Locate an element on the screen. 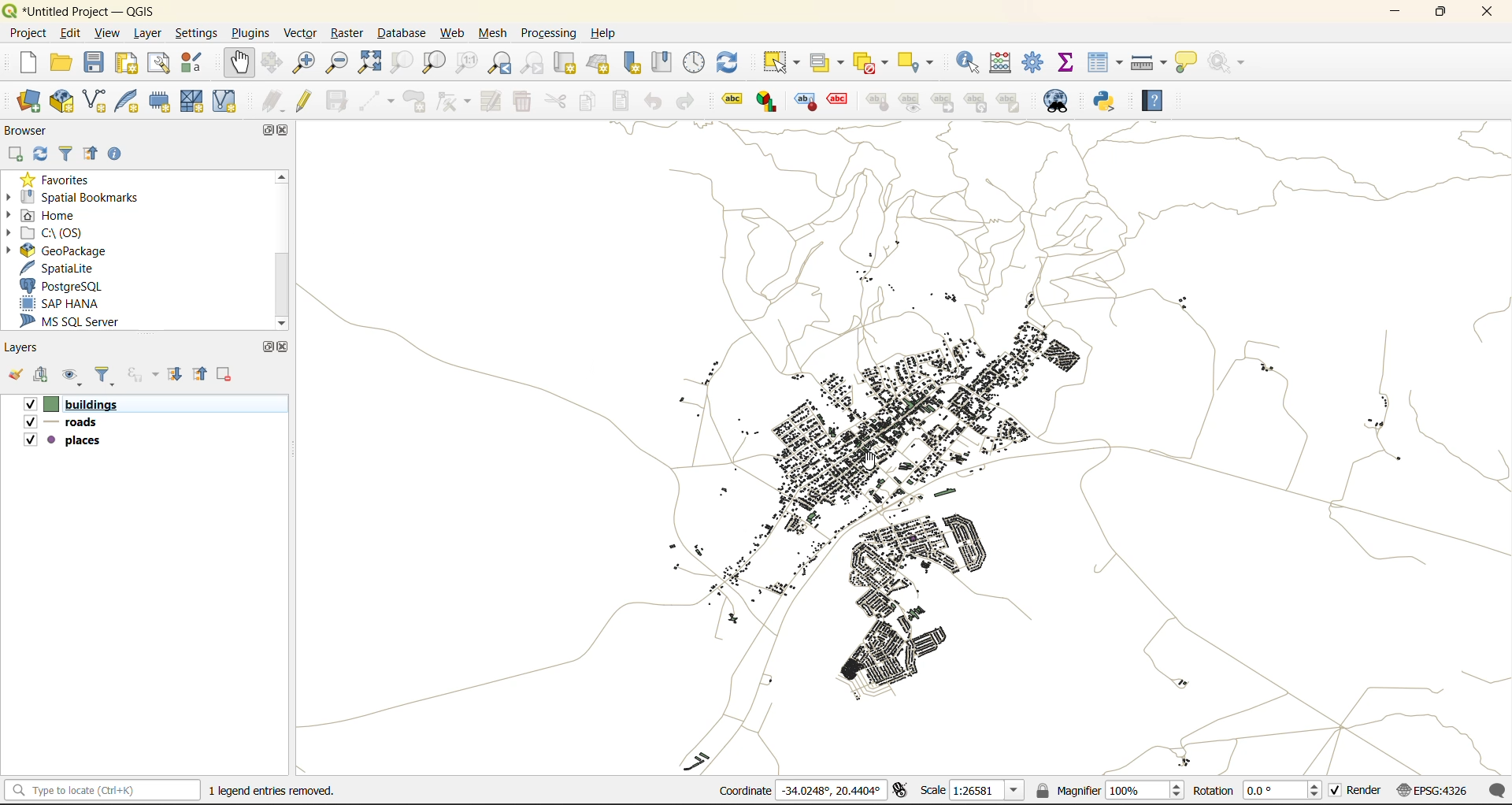 The height and width of the screenshot is (805, 1512). measure line is located at coordinates (1151, 63).